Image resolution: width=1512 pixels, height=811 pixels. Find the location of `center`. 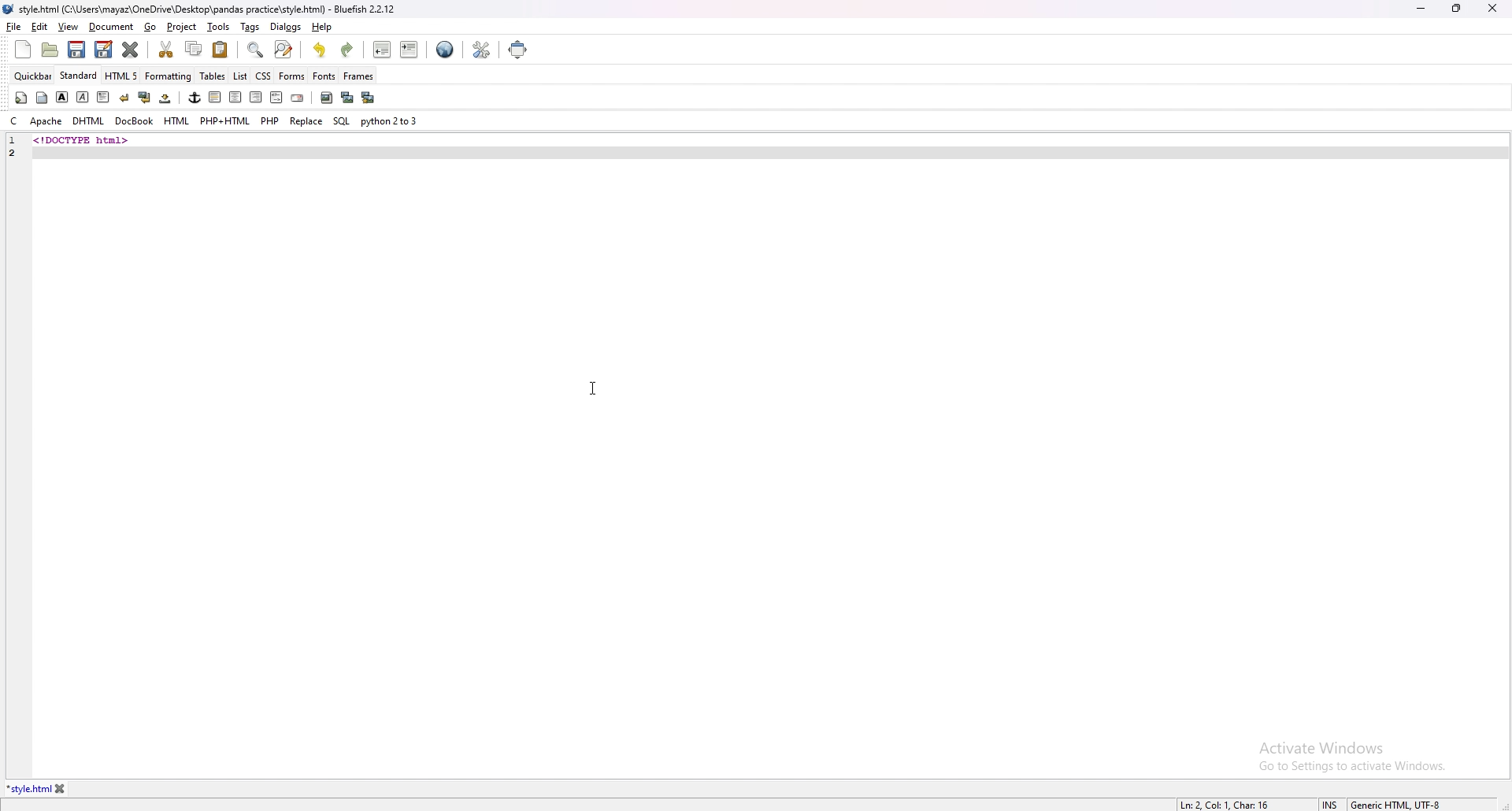

center is located at coordinates (235, 98).